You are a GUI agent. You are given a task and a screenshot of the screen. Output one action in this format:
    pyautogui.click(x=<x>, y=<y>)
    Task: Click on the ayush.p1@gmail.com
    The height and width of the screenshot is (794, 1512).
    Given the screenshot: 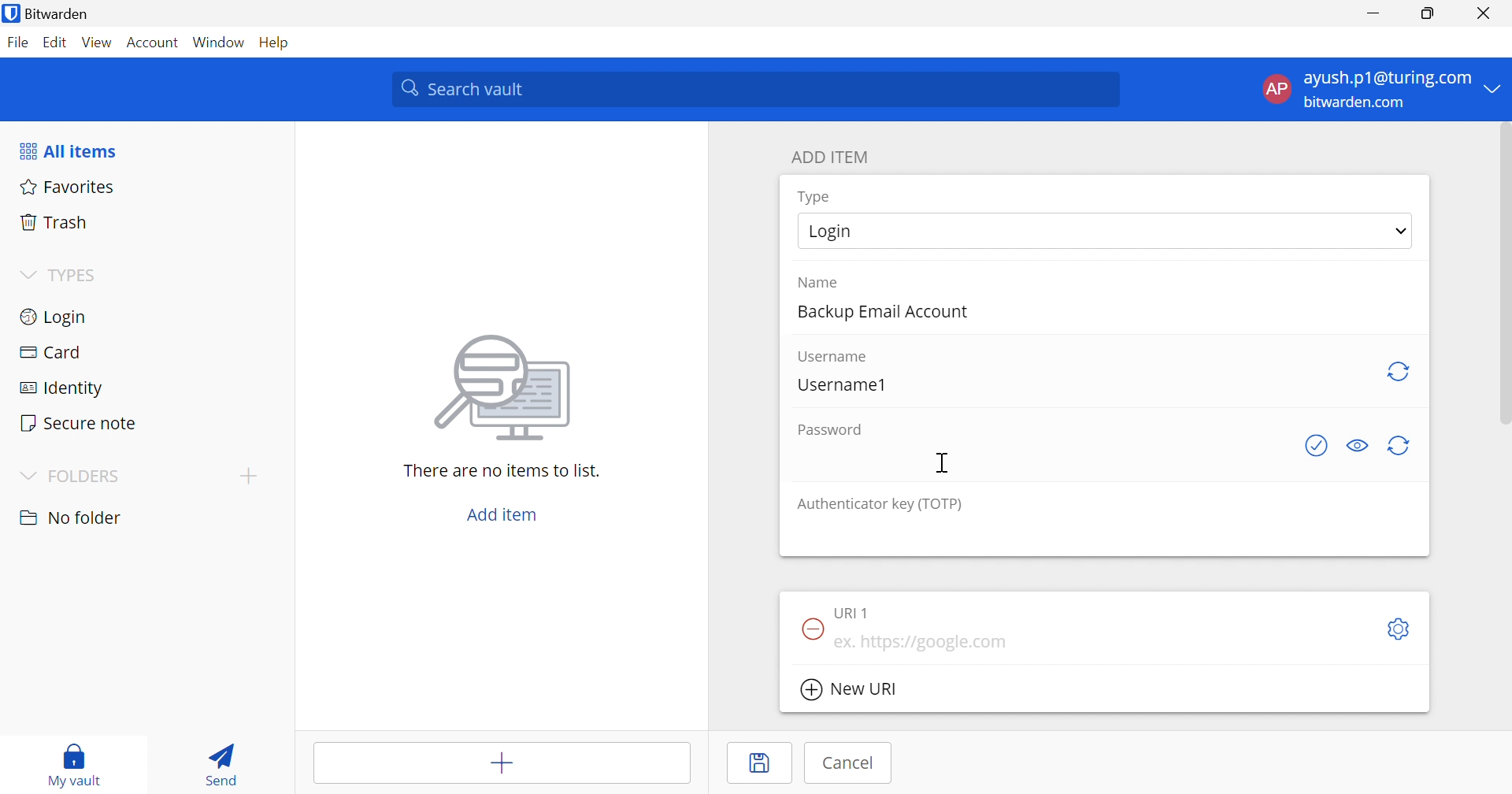 What is the action you would take?
    pyautogui.click(x=1385, y=78)
    